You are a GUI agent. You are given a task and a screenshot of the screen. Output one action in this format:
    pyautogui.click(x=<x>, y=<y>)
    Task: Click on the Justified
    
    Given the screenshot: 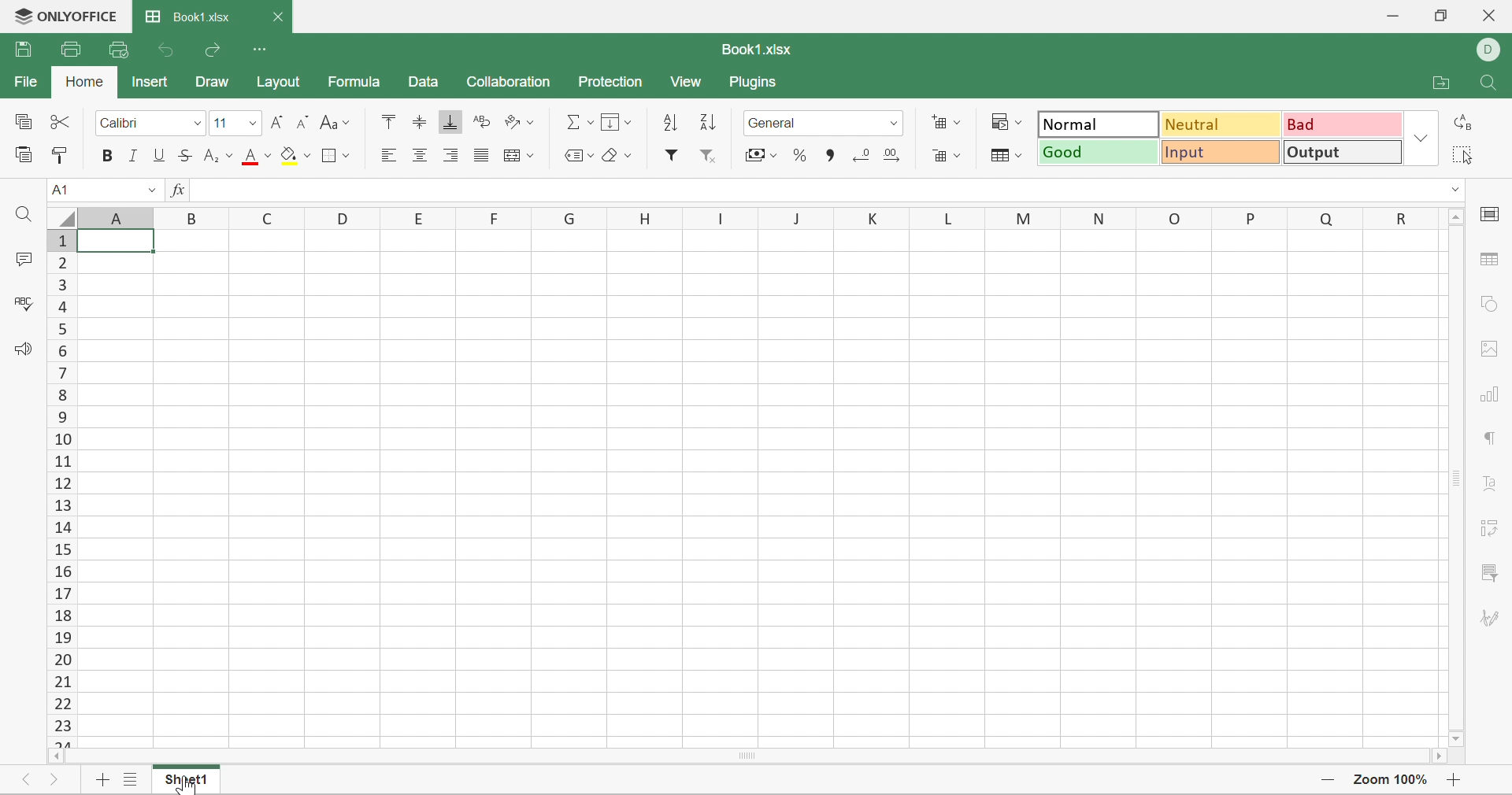 What is the action you would take?
    pyautogui.click(x=478, y=155)
    